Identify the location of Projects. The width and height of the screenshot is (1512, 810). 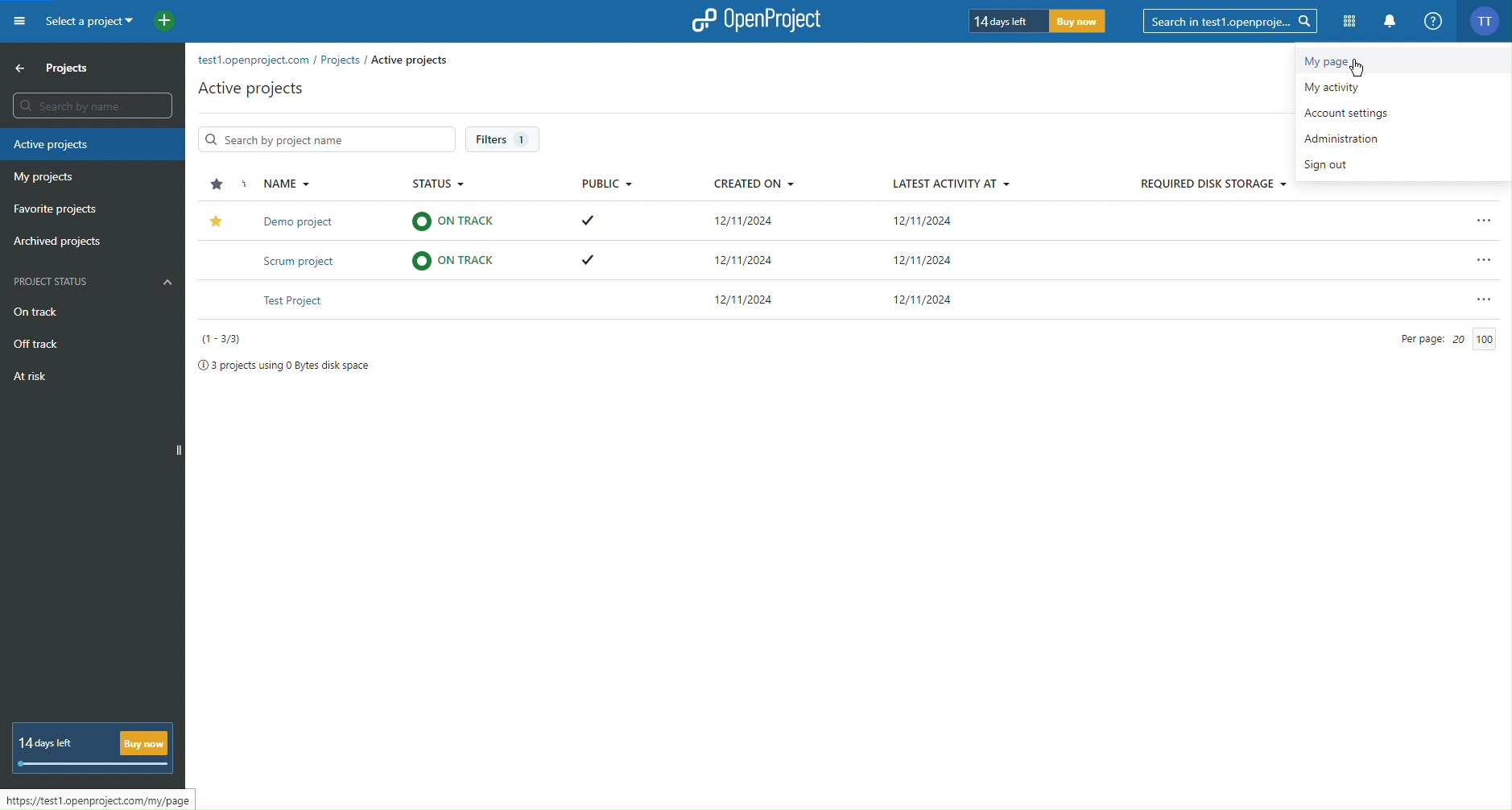
(61, 69).